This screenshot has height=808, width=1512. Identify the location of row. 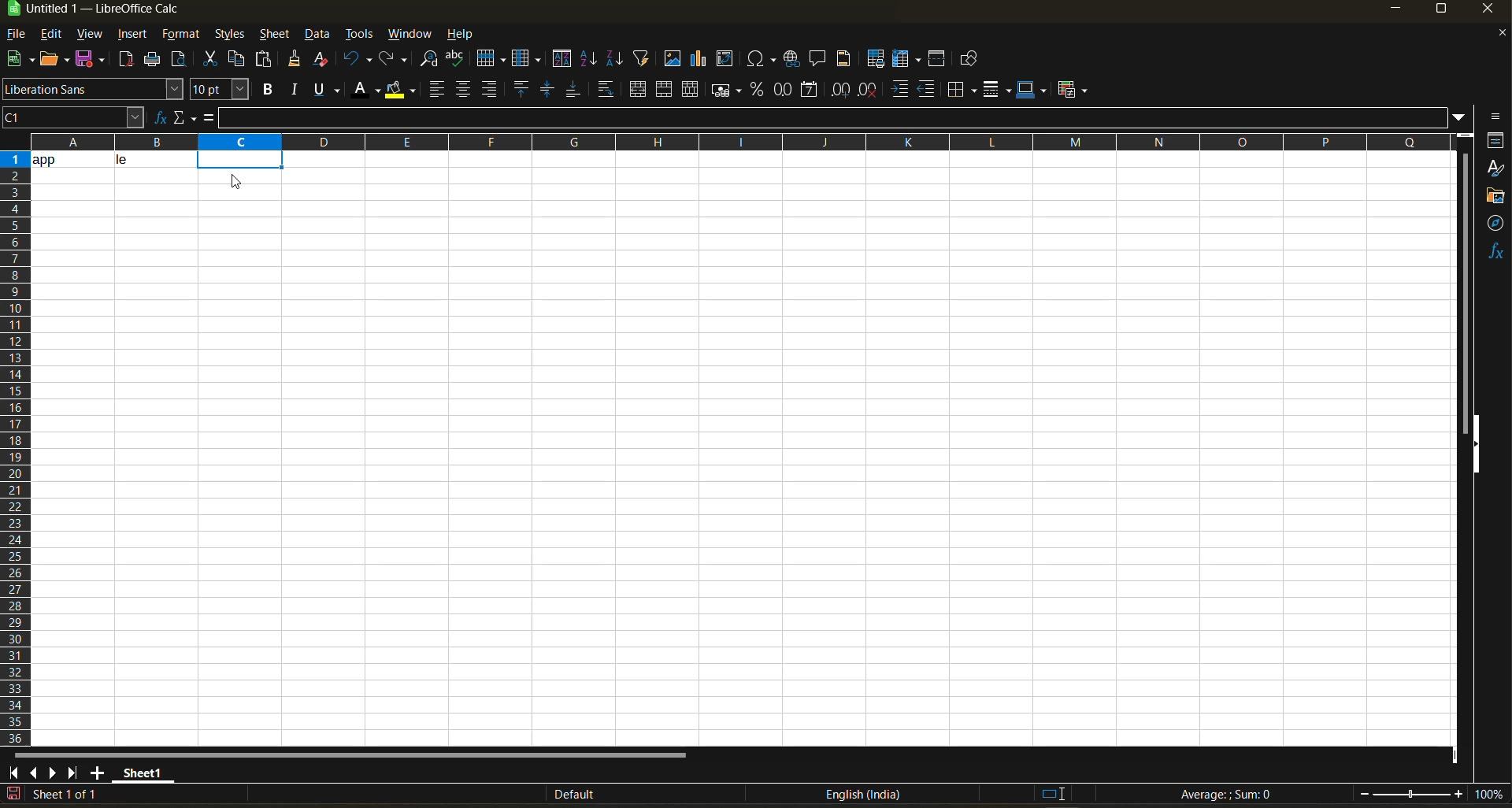
(491, 57).